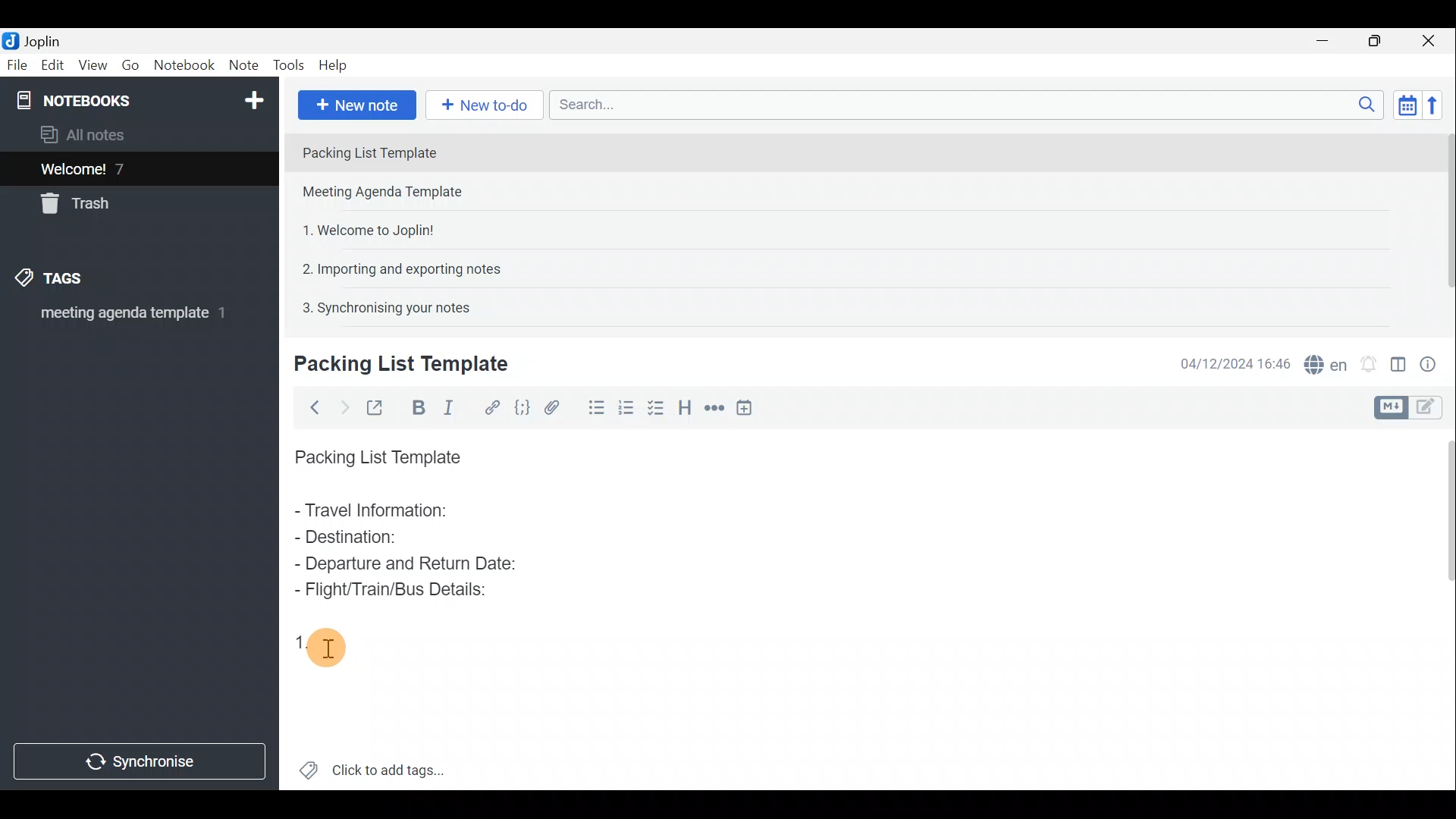 The width and height of the screenshot is (1456, 819). What do you see at coordinates (552, 406) in the screenshot?
I see `Attach file` at bounding box center [552, 406].